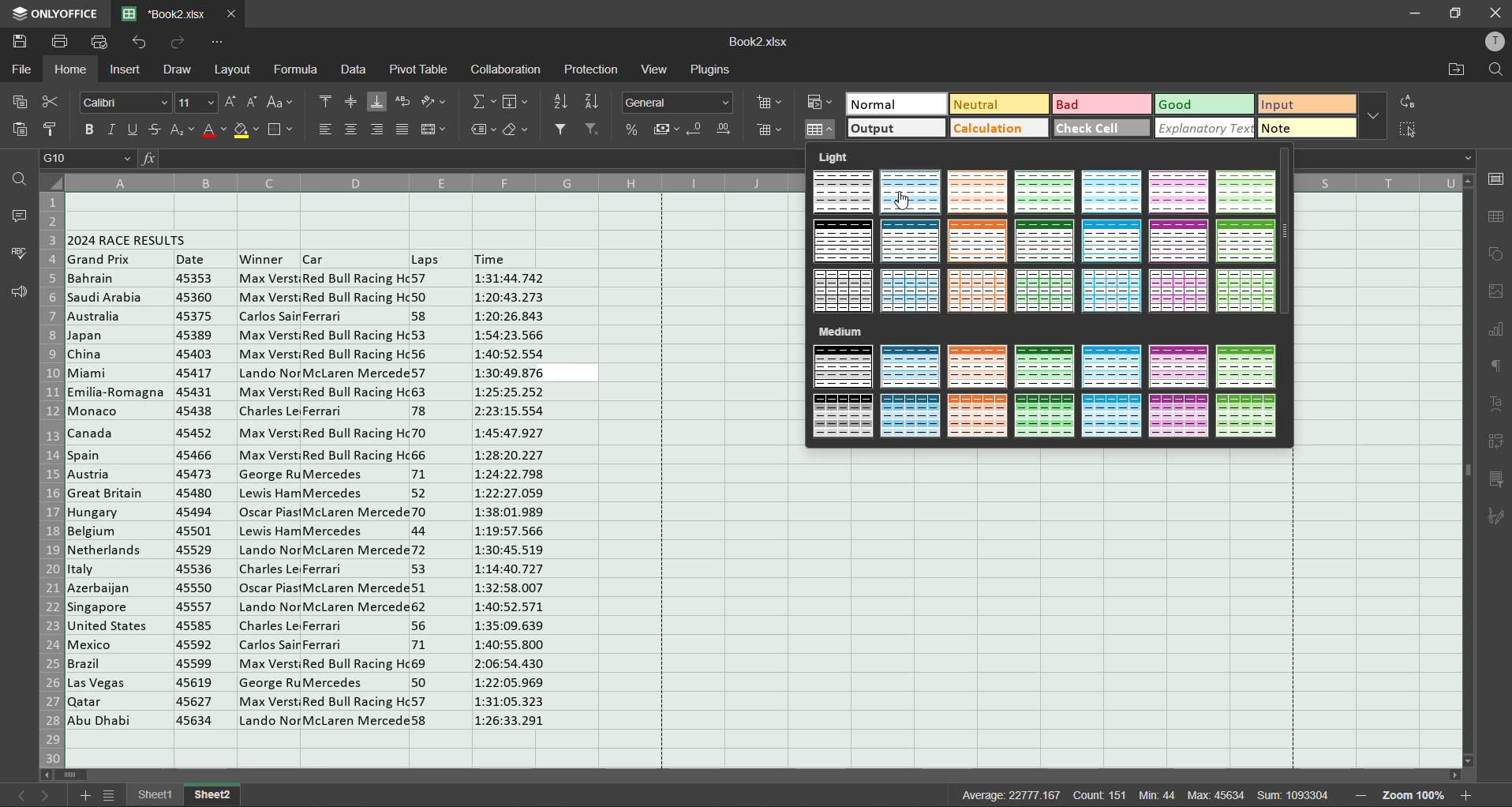  What do you see at coordinates (510, 505) in the screenshot?
I see `Time` at bounding box center [510, 505].